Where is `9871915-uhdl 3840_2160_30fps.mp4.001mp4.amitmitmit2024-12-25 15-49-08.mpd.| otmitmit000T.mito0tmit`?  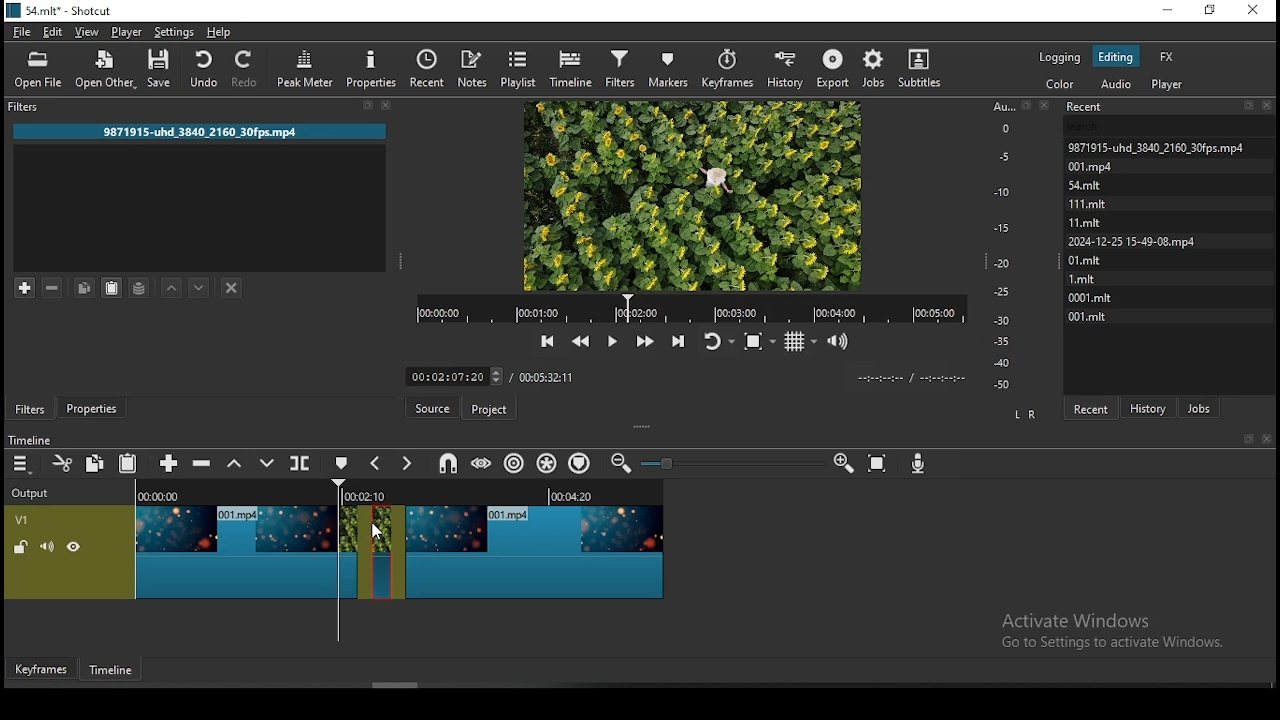 9871915-uhdl 3840_2160_30fps.mp4.001mp4.amitmitmit2024-12-25 15-49-08.mpd.| otmitmit000T.mito0tmit is located at coordinates (1171, 230).